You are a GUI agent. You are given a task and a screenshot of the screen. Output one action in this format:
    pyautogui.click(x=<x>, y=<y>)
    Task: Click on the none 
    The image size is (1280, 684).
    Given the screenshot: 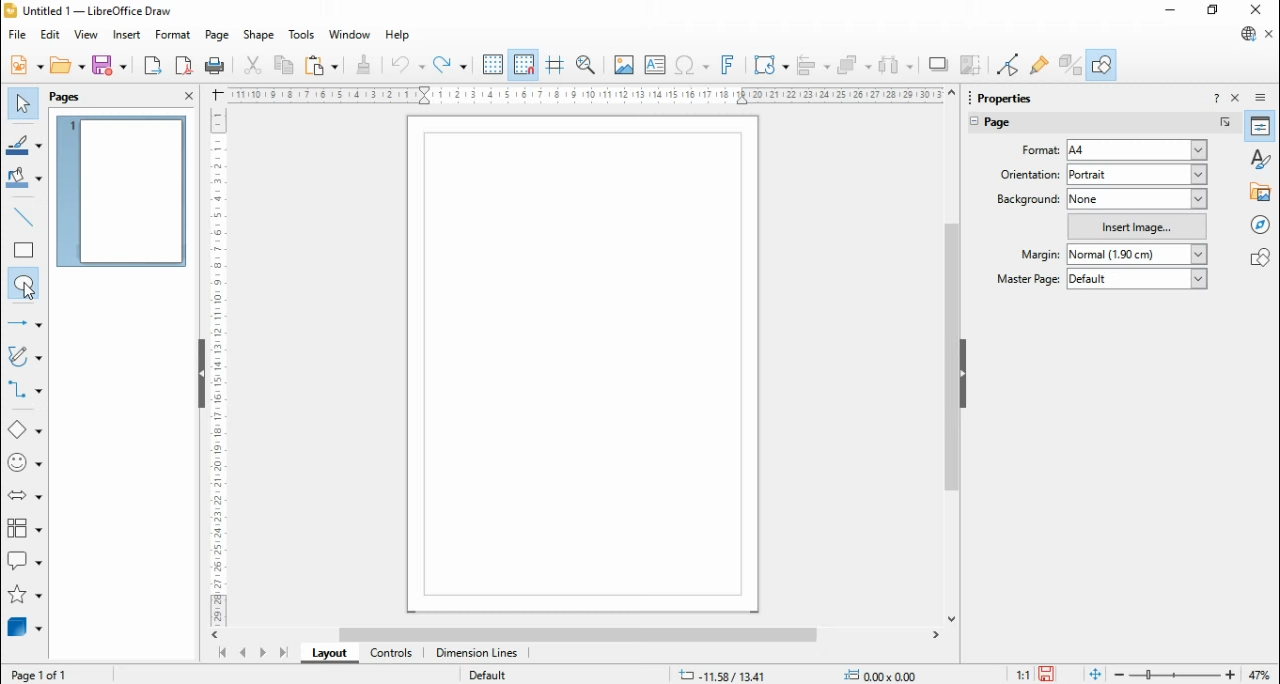 What is the action you would take?
    pyautogui.click(x=1138, y=199)
    